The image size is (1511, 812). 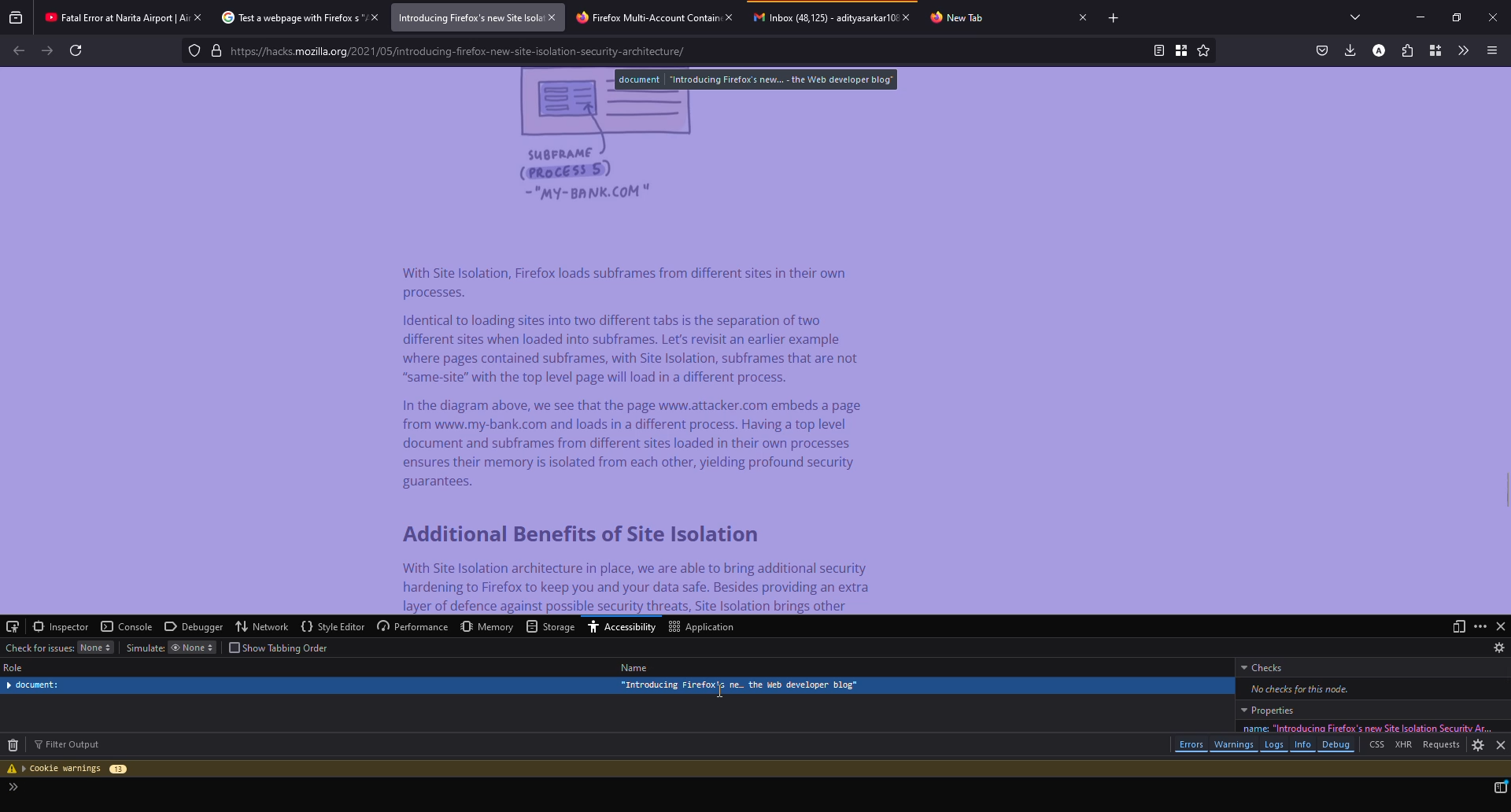 What do you see at coordinates (1322, 50) in the screenshot?
I see `save to packet` at bounding box center [1322, 50].